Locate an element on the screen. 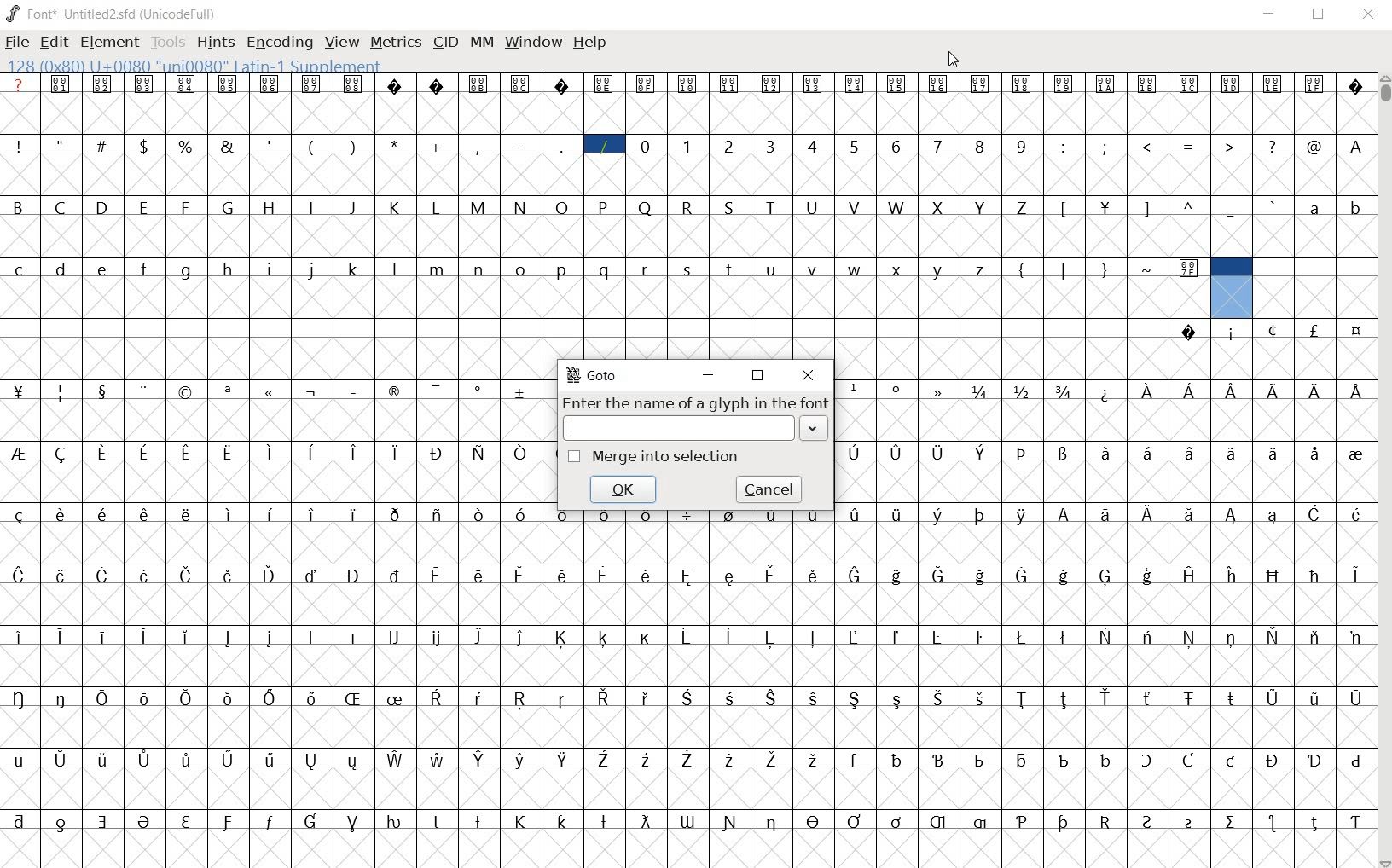 Image resolution: width=1392 pixels, height=868 pixels. E is located at coordinates (145, 207).